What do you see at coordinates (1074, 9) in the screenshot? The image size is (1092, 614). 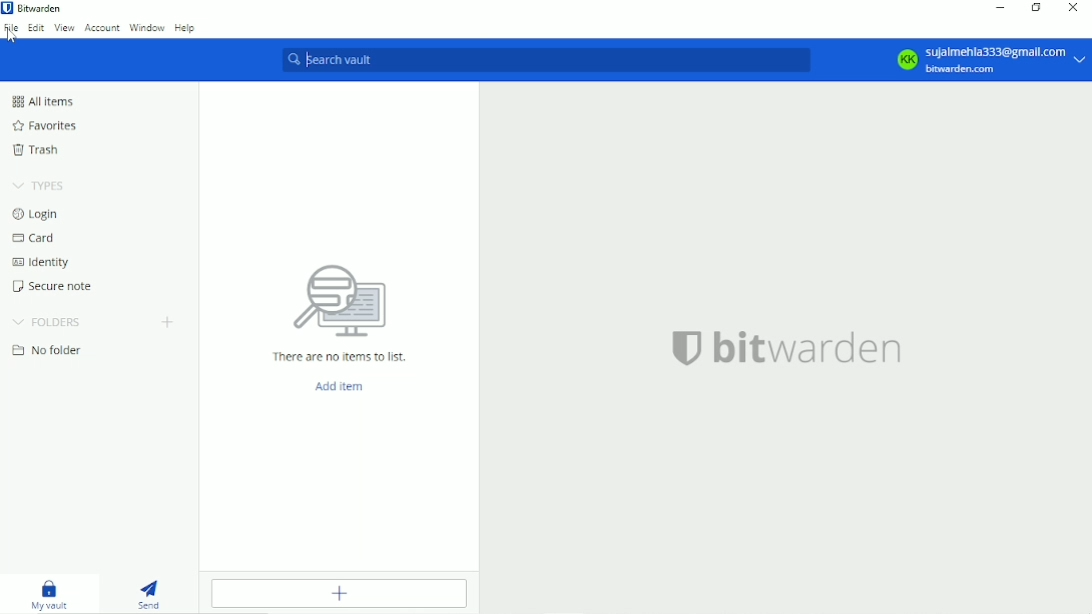 I see `Close` at bounding box center [1074, 9].